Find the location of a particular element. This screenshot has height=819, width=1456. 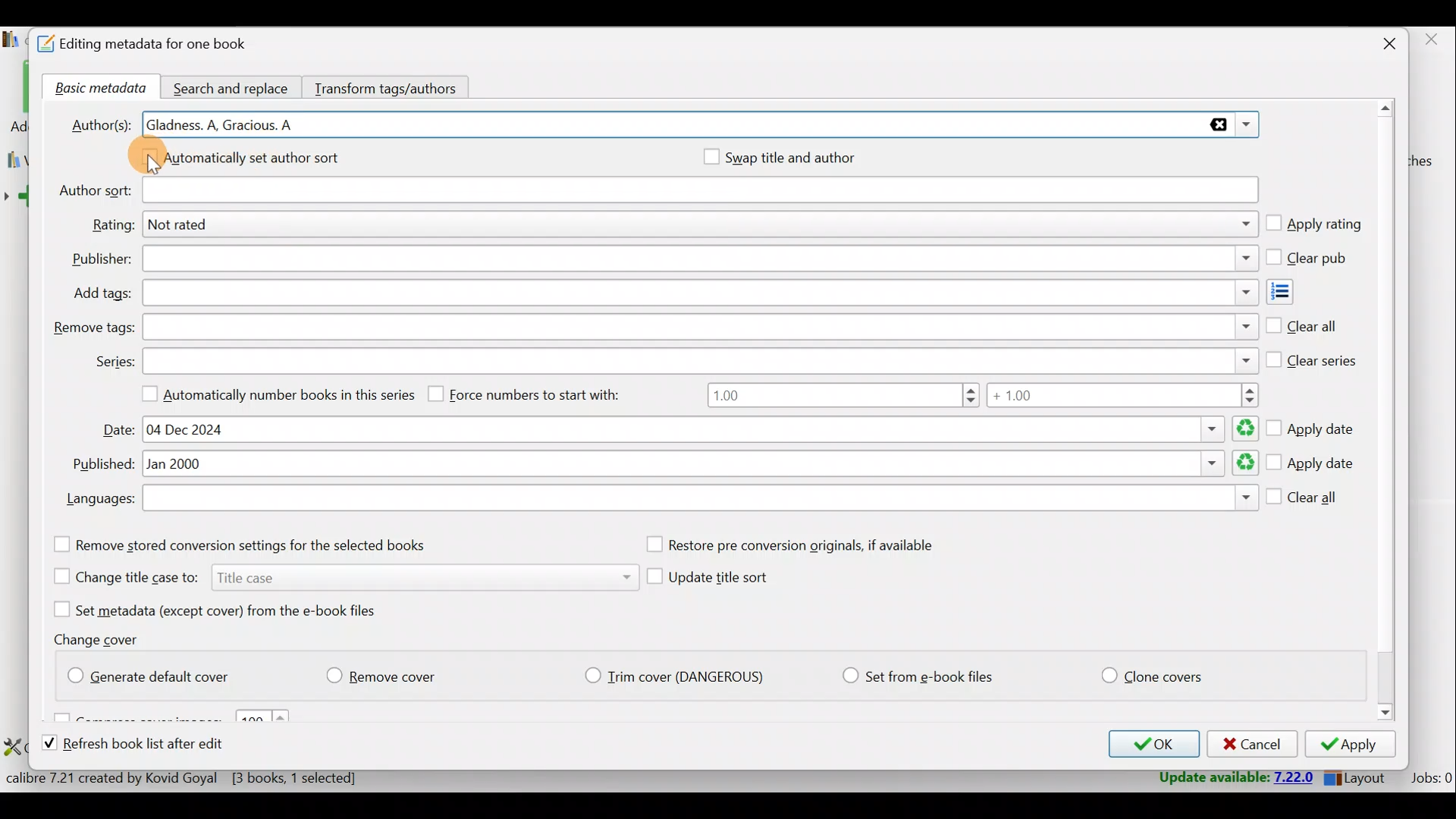

Set metadata (except cover) from the e-book files is located at coordinates (234, 609).